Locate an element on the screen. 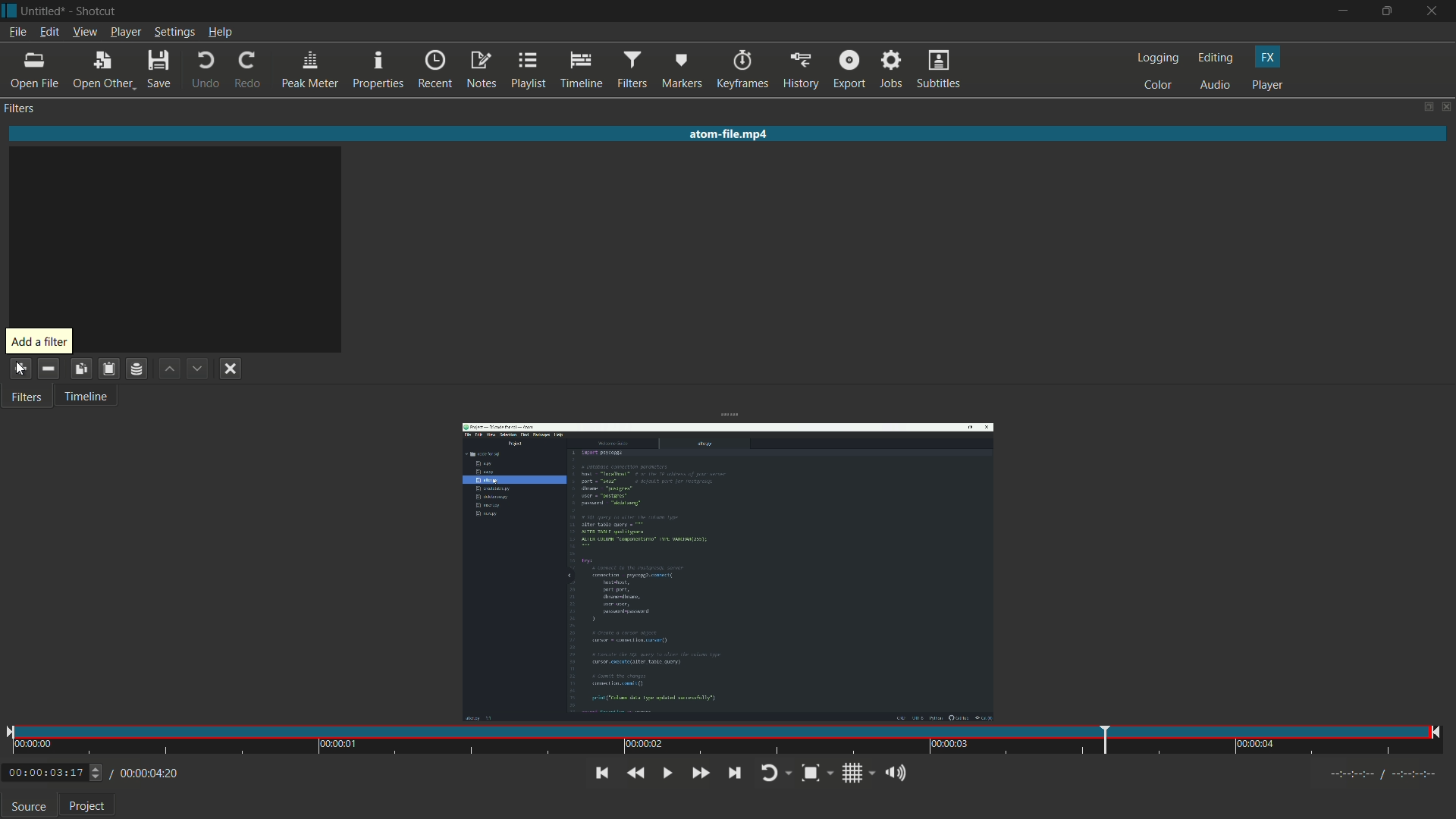 The image size is (1456, 819). filters is located at coordinates (630, 71).